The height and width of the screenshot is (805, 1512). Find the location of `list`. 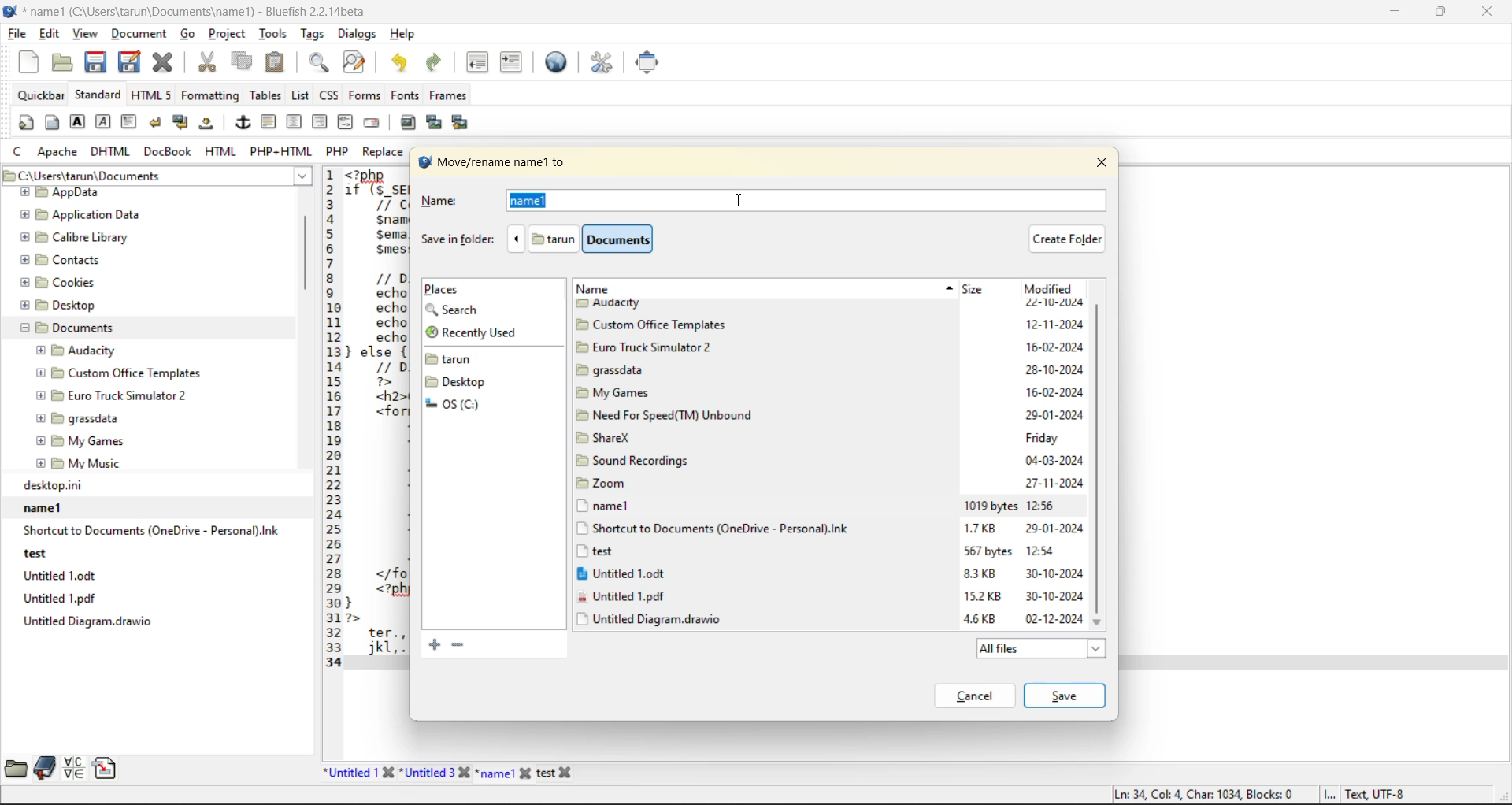

list is located at coordinates (302, 96).